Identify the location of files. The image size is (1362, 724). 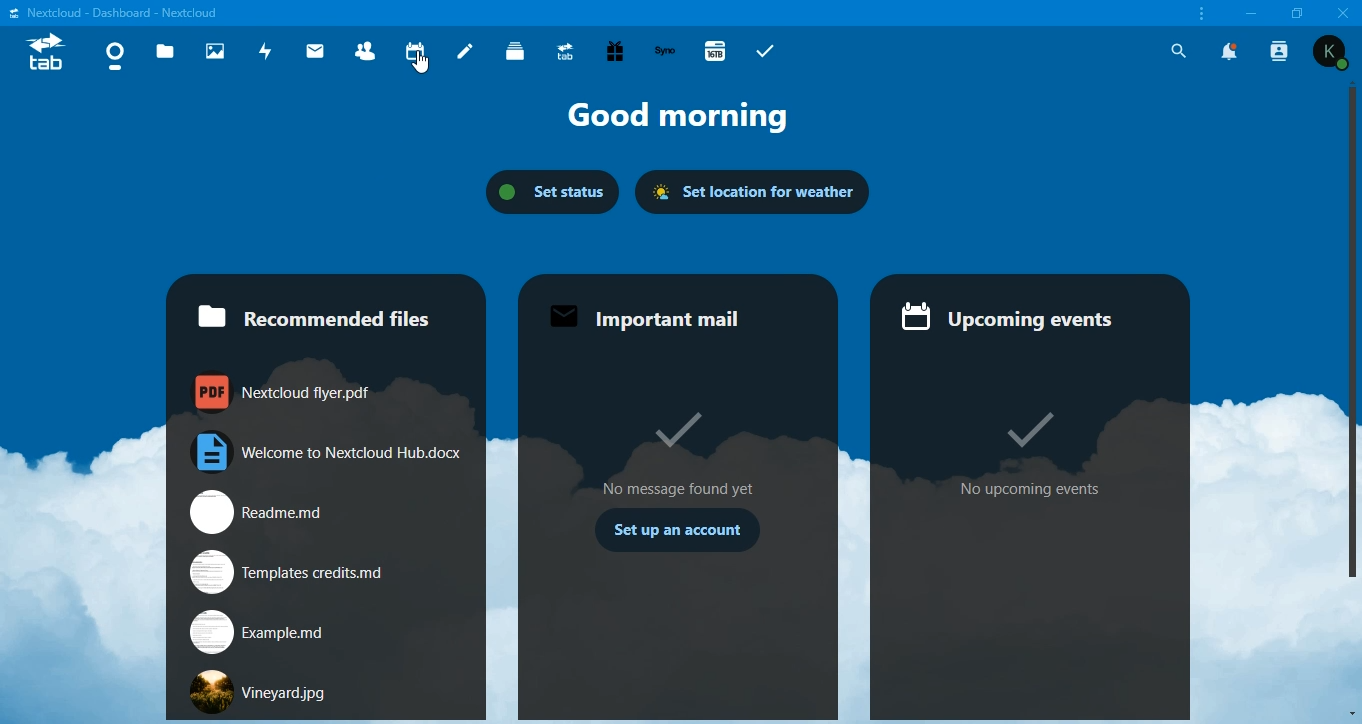
(168, 51).